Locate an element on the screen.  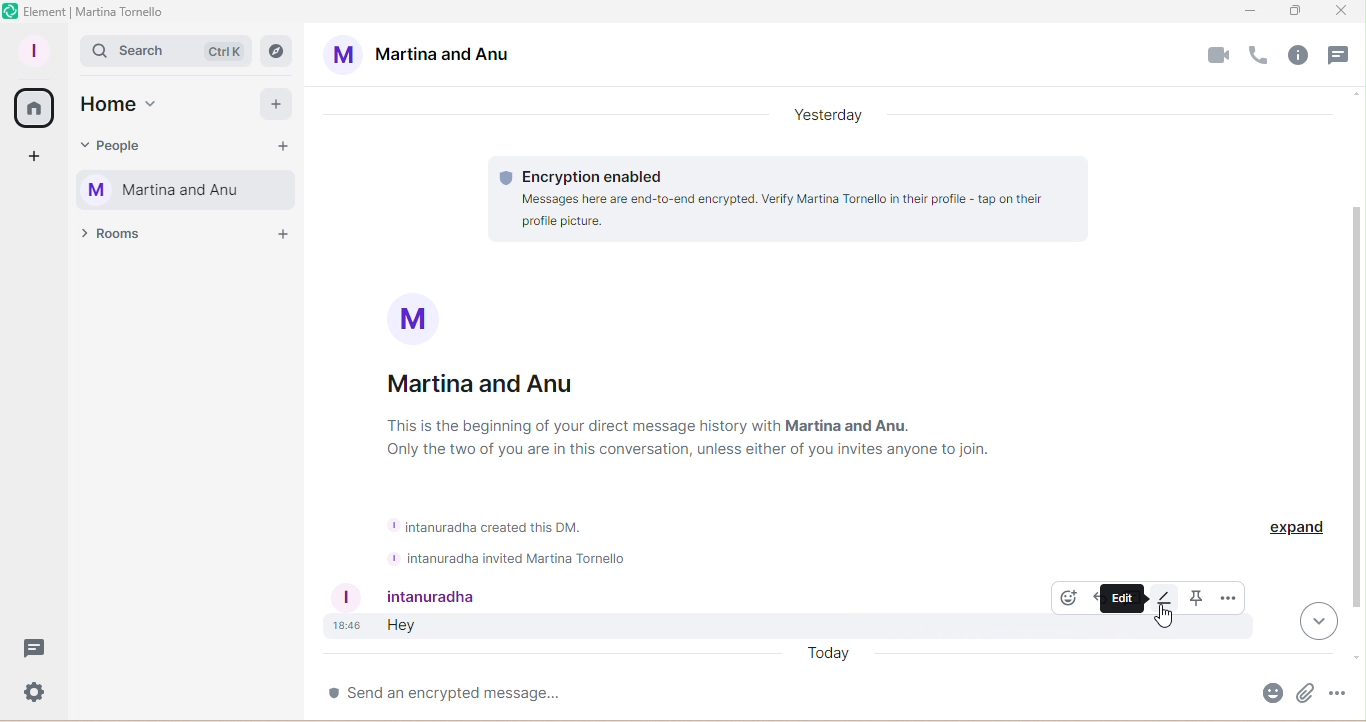
Minimize is located at coordinates (1251, 11).